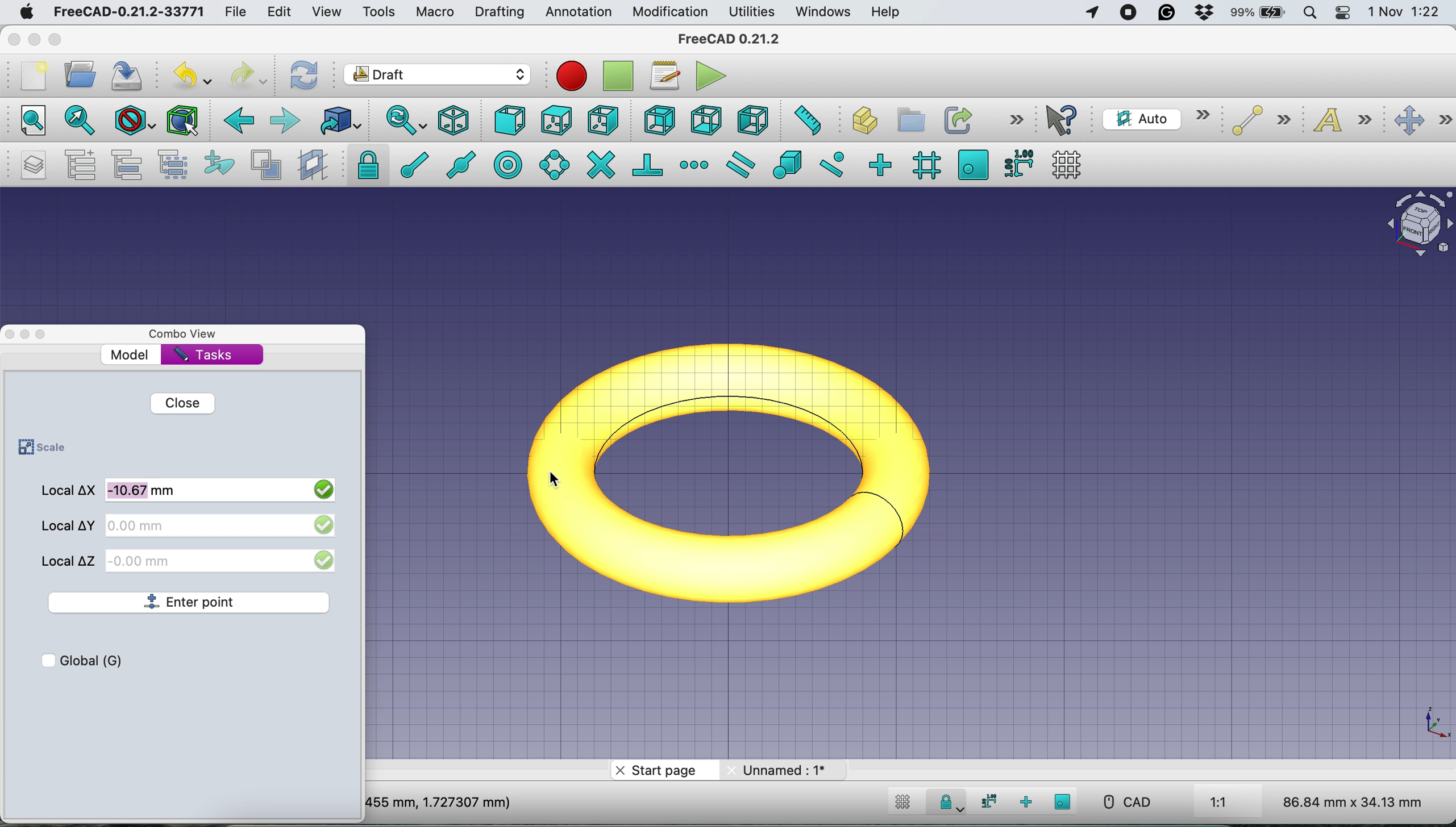  Describe the element at coordinates (98, 659) in the screenshot. I see `global (G)` at that location.